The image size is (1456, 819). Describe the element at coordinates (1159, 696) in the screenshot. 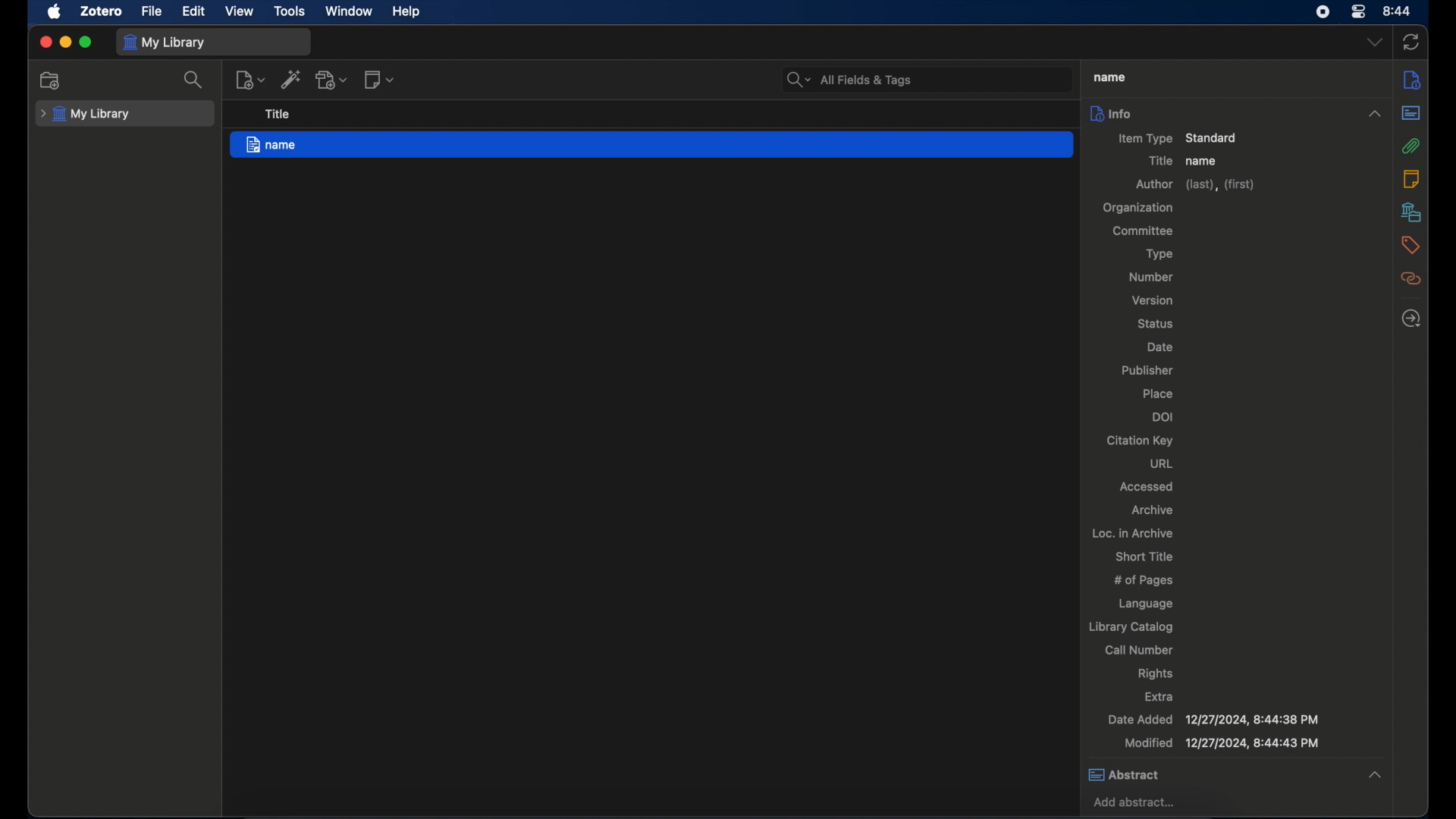

I see `extra` at that location.